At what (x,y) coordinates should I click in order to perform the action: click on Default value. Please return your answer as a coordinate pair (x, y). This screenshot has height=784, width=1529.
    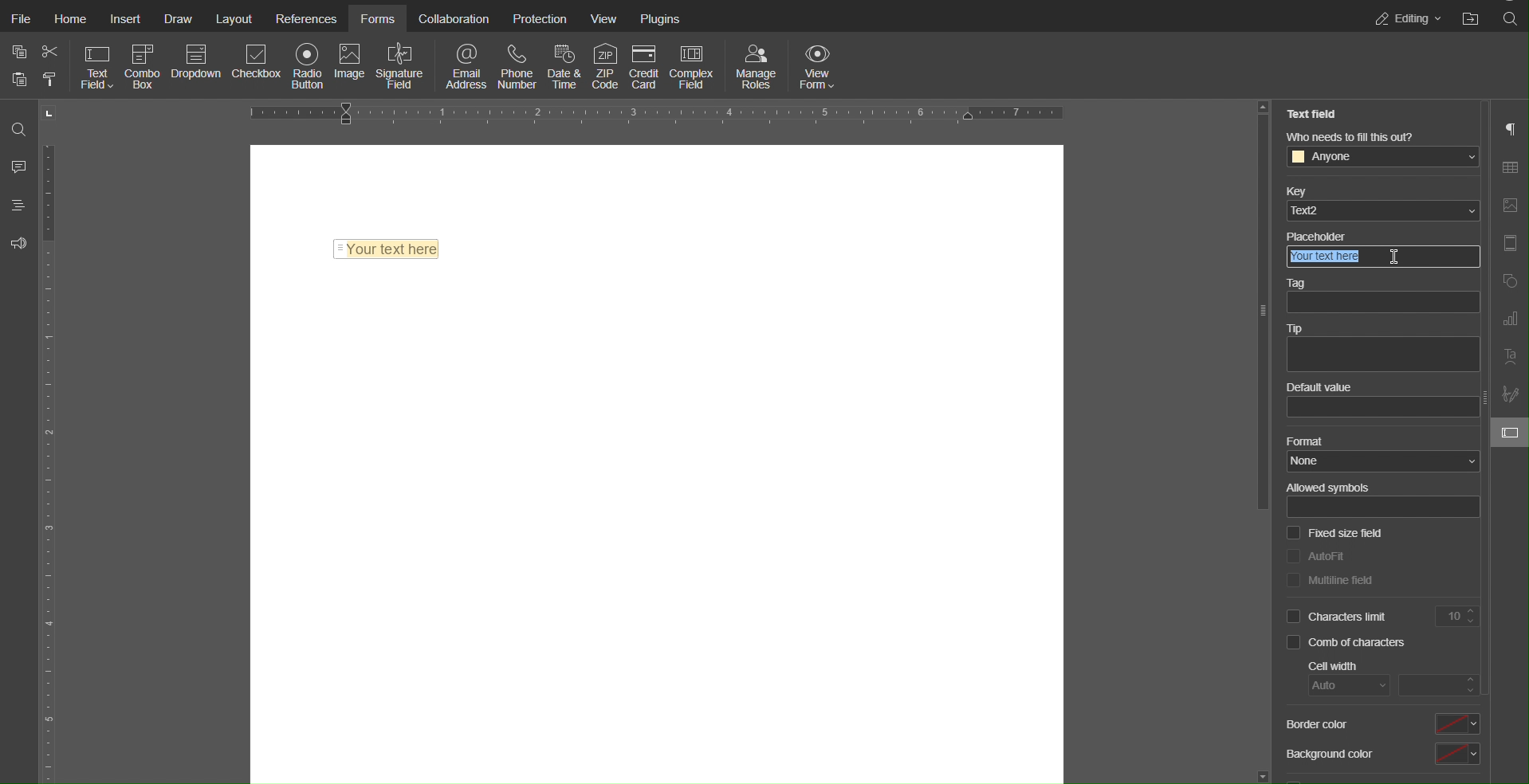
    Looking at the image, I should click on (1379, 401).